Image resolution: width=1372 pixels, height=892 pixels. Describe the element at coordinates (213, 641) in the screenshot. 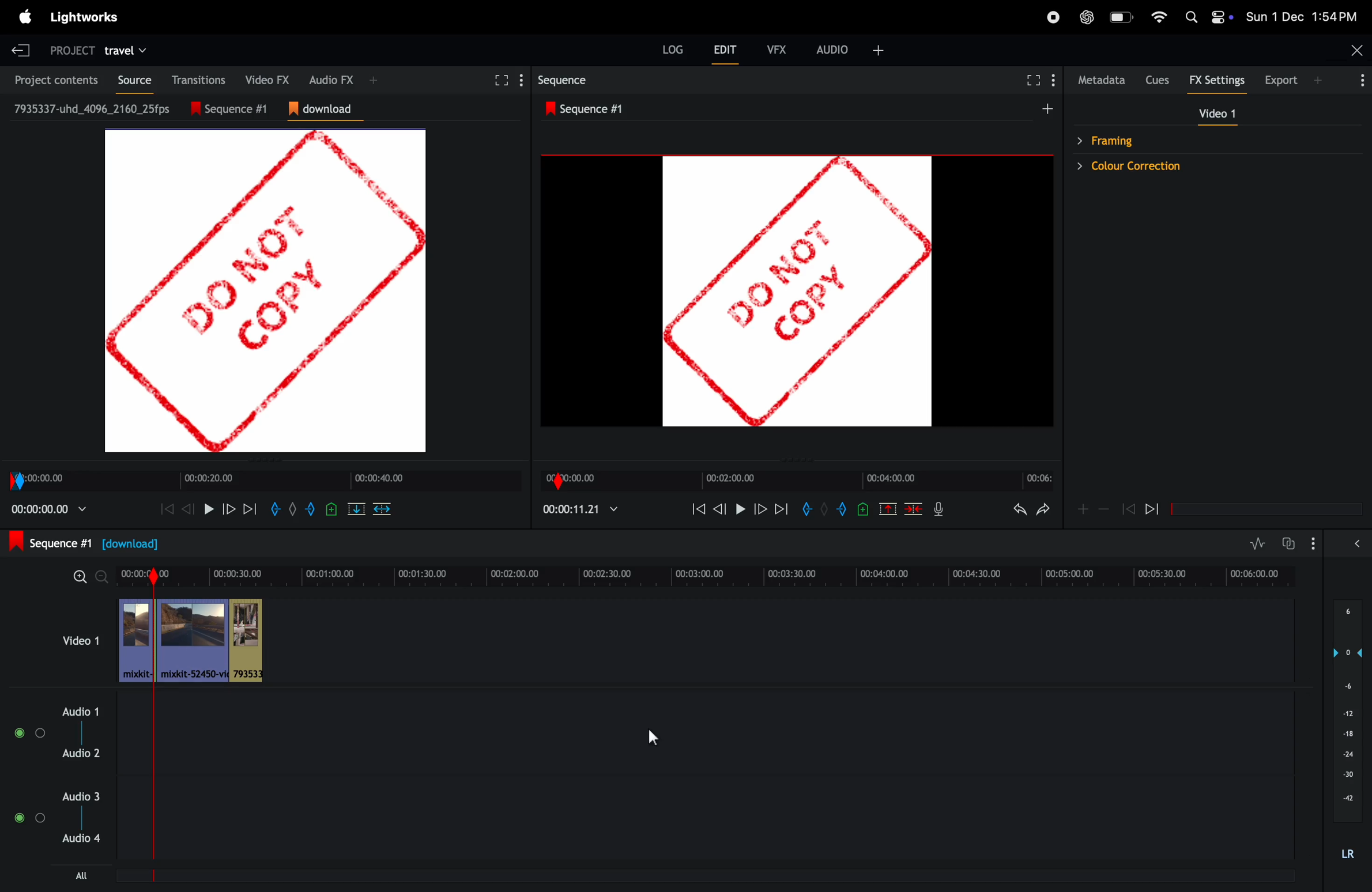

I see `video clip` at that location.